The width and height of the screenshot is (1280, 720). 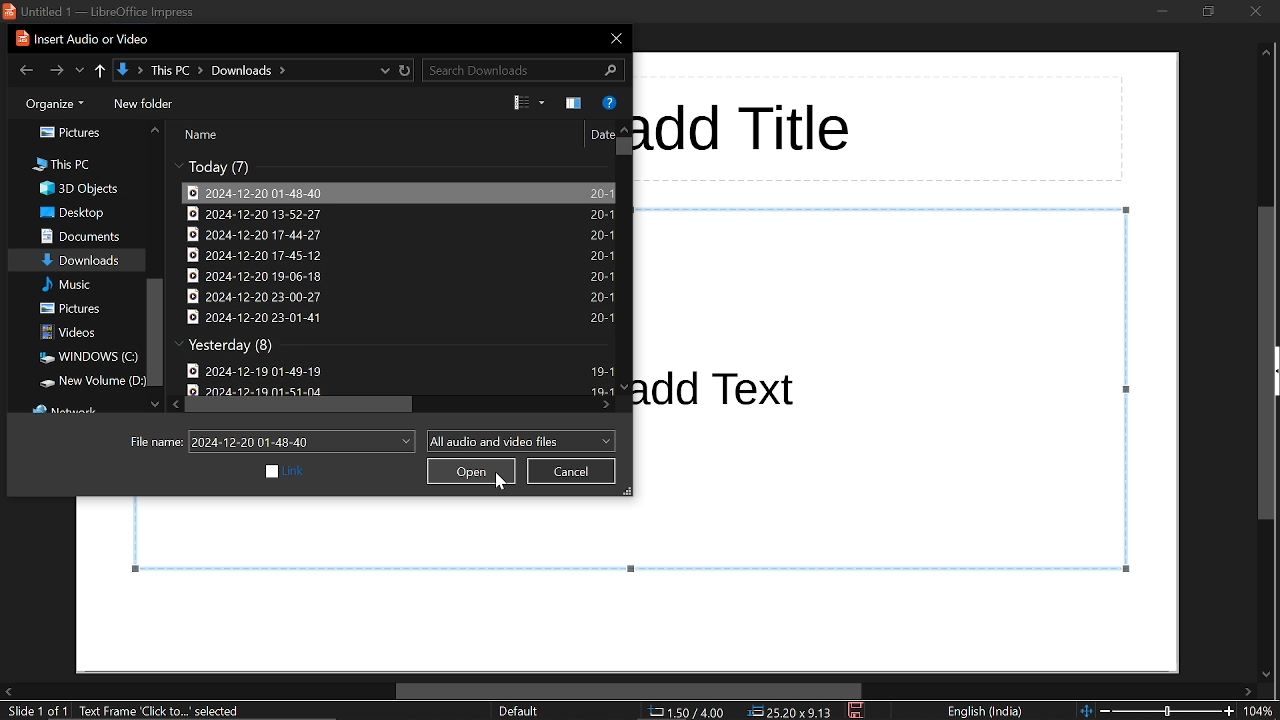 What do you see at coordinates (78, 189) in the screenshot?
I see `3d objects` at bounding box center [78, 189].